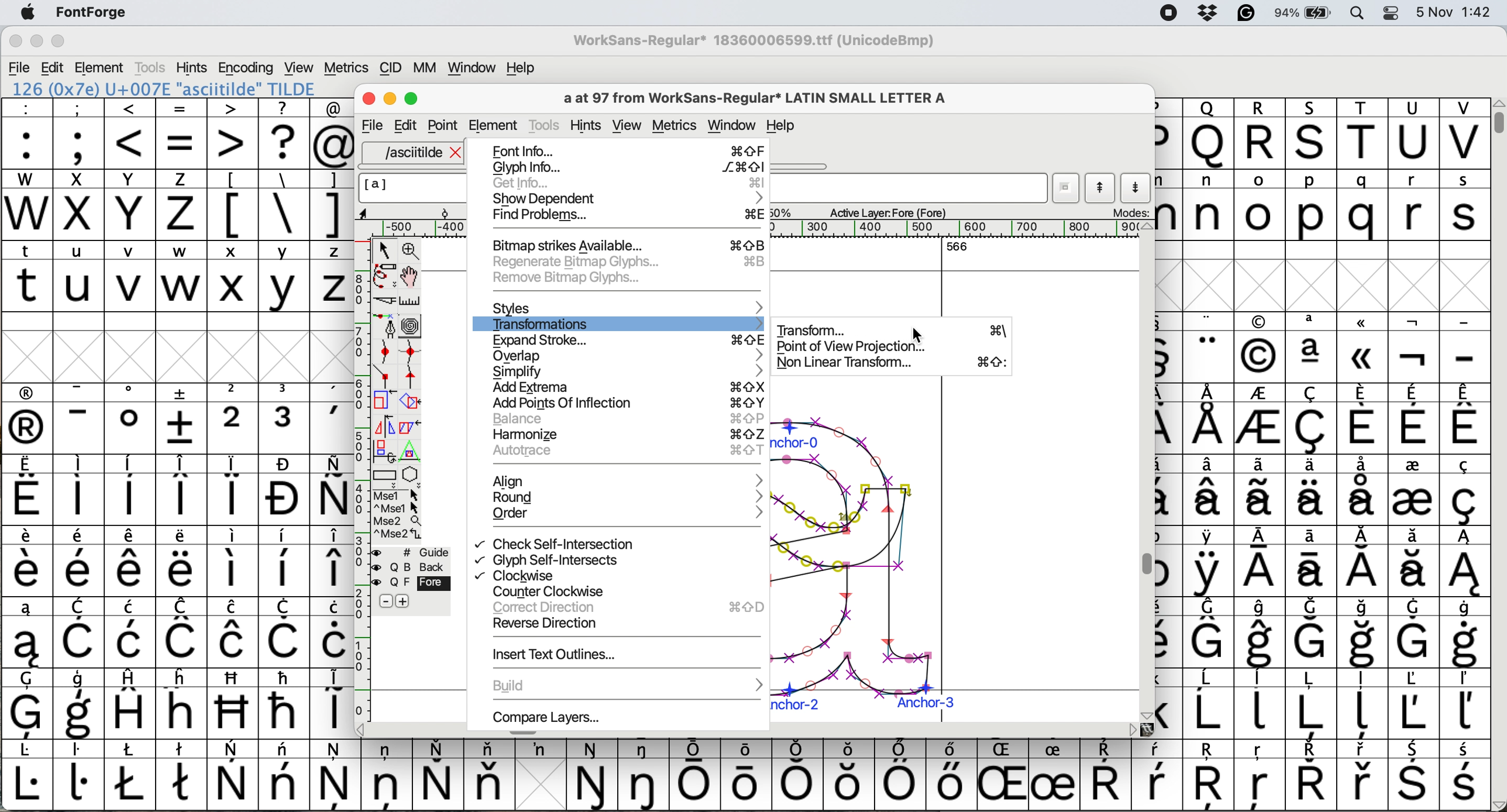 The image size is (1507, 812). What do you see at coordinates (387, 773) in the screenshot?
I see `symbol` at bounding box center [387, 773].